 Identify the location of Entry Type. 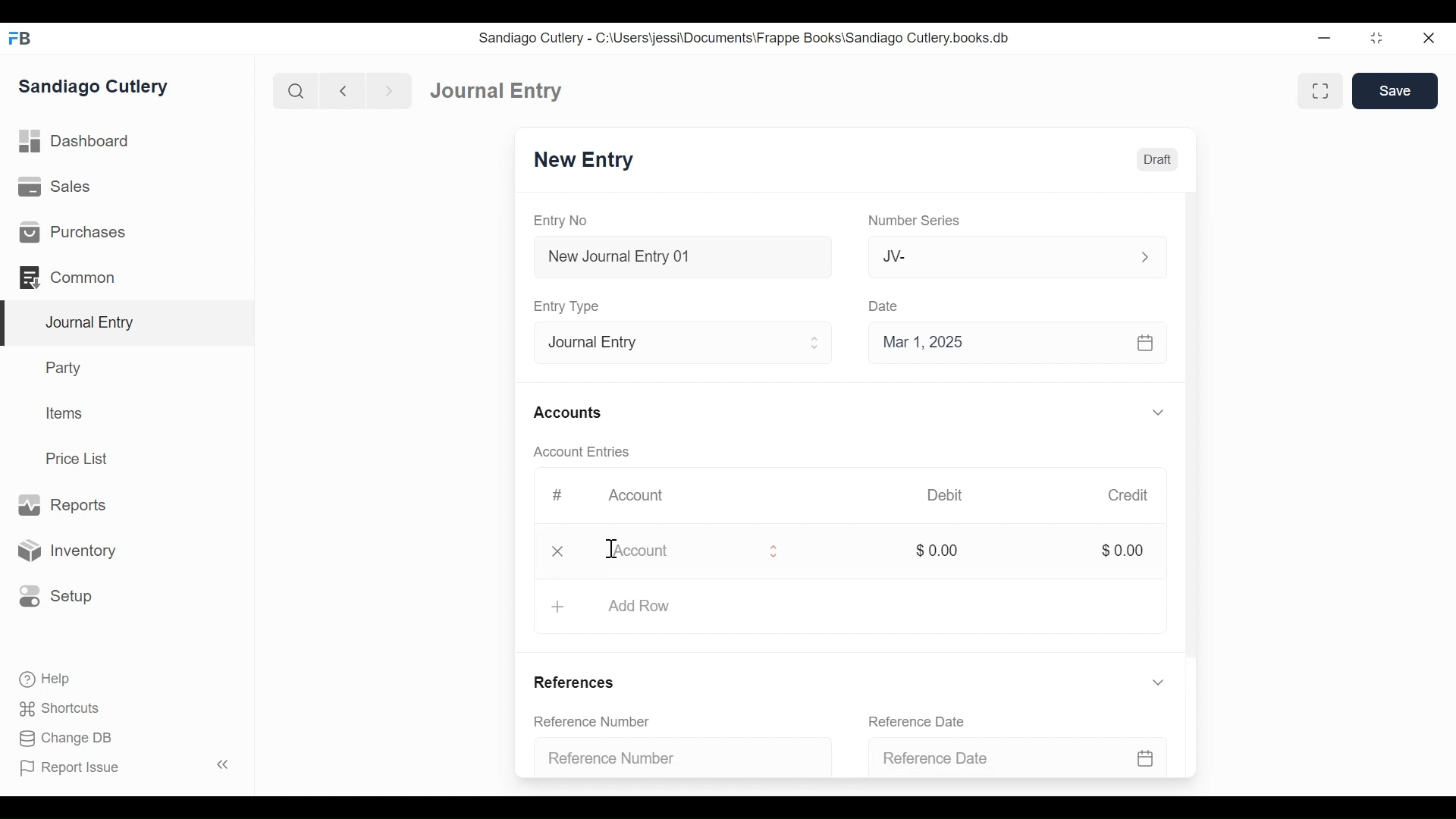
(678, 340).